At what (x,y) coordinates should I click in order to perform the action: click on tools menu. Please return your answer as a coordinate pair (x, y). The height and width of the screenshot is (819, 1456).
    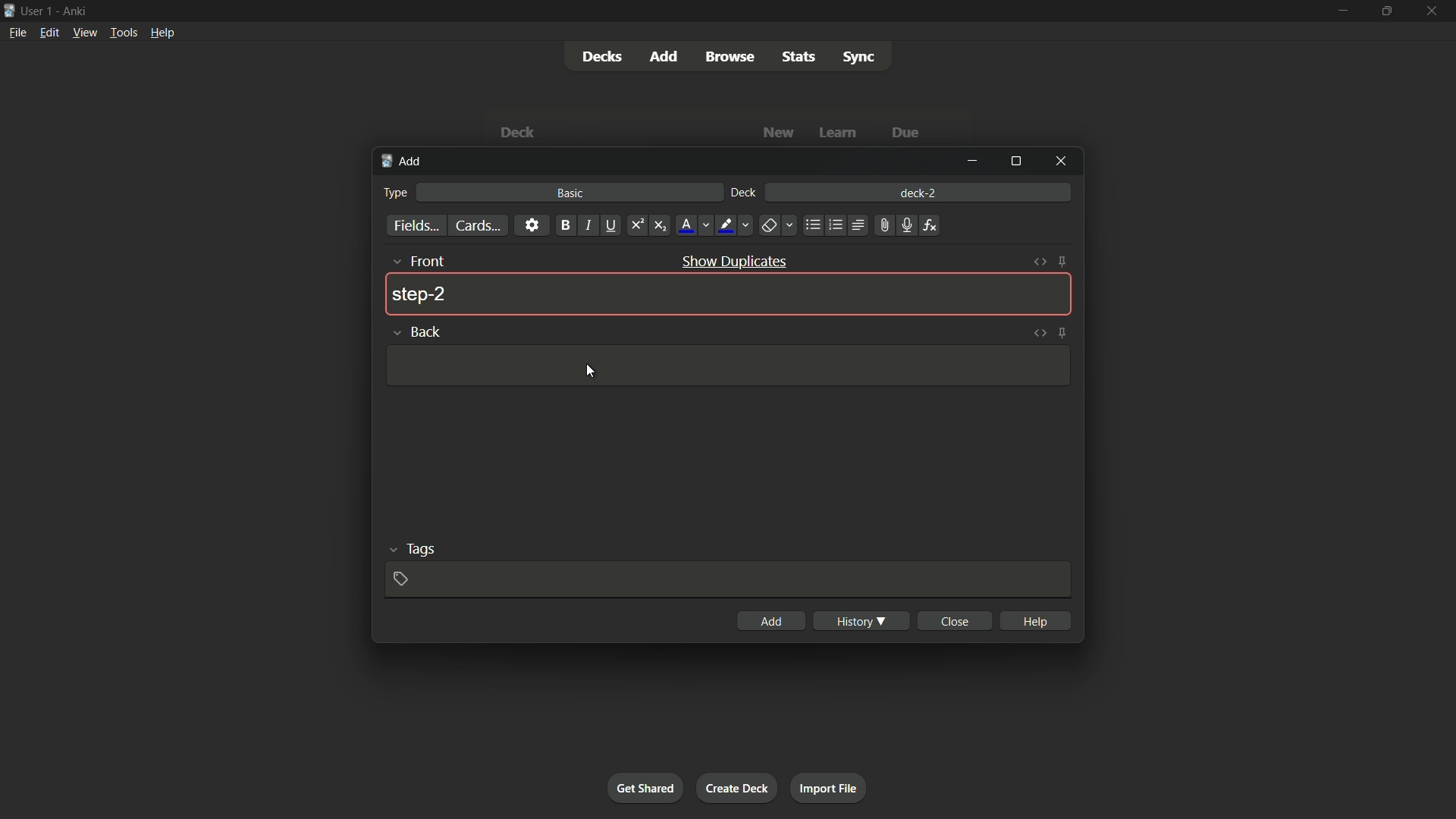
    Looking at the image, I should click on (124, 33).